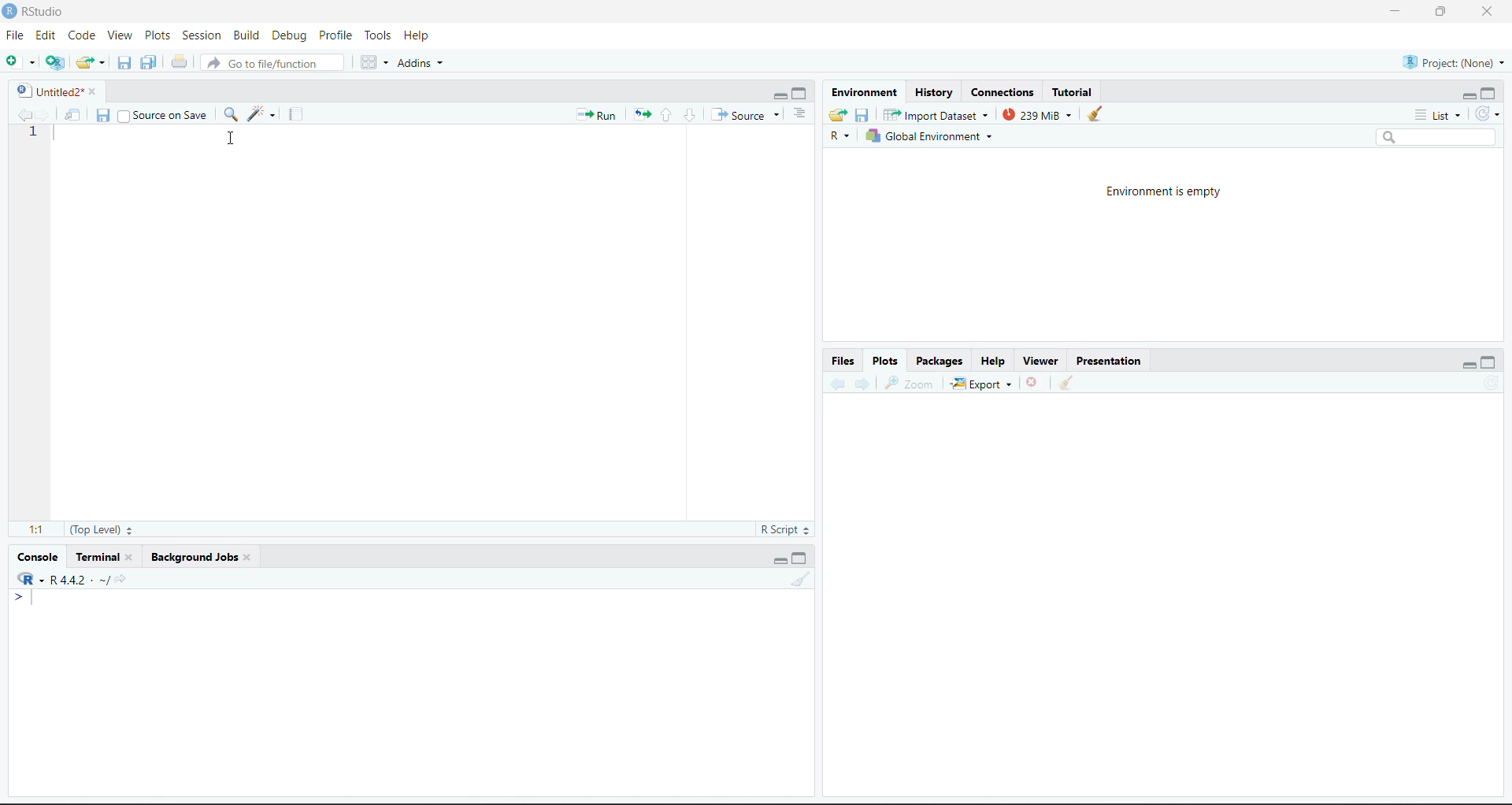 The image size is (1512, 805). Describe the element at coordinates (45, 113) in the screenshot. I see `Go forward to the next source location (Ctrl + F10)` at that location.